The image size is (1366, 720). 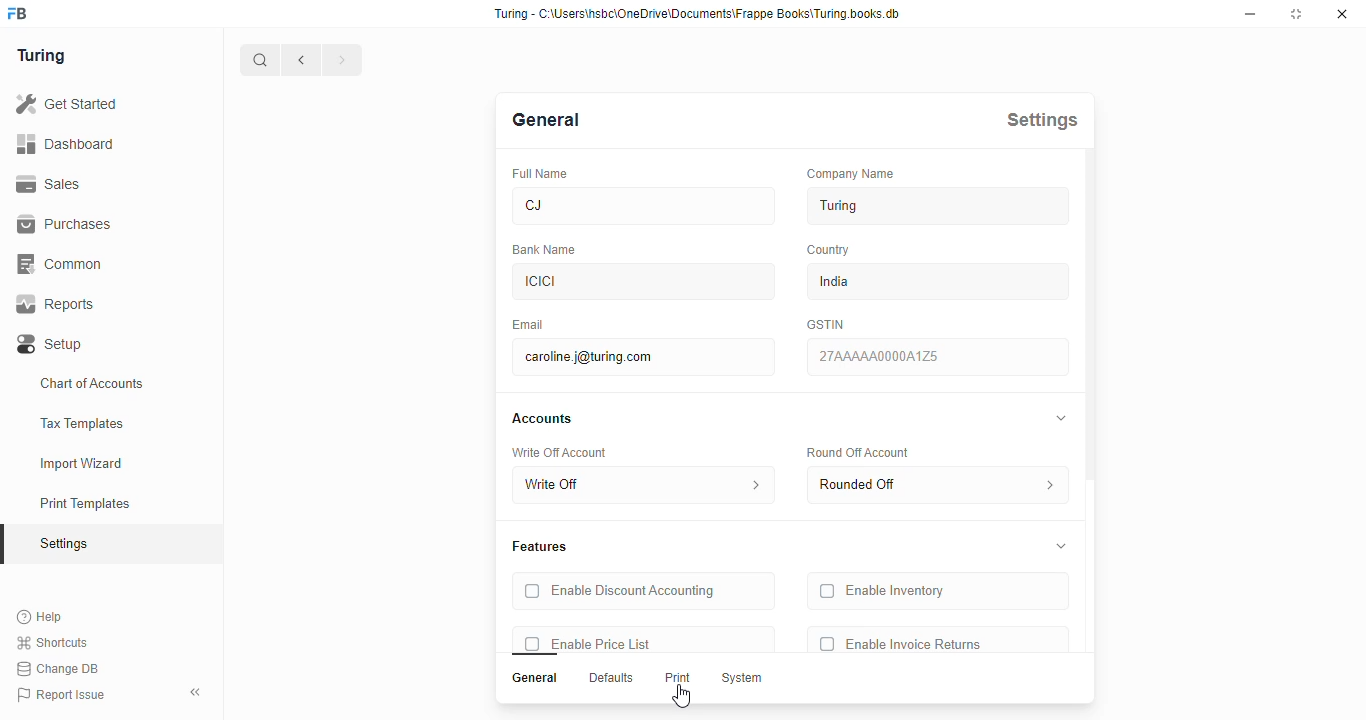 What do you see at coordinates (85, 503) in the screenshot?
I see `print templates` at bounding box center [85, 503].